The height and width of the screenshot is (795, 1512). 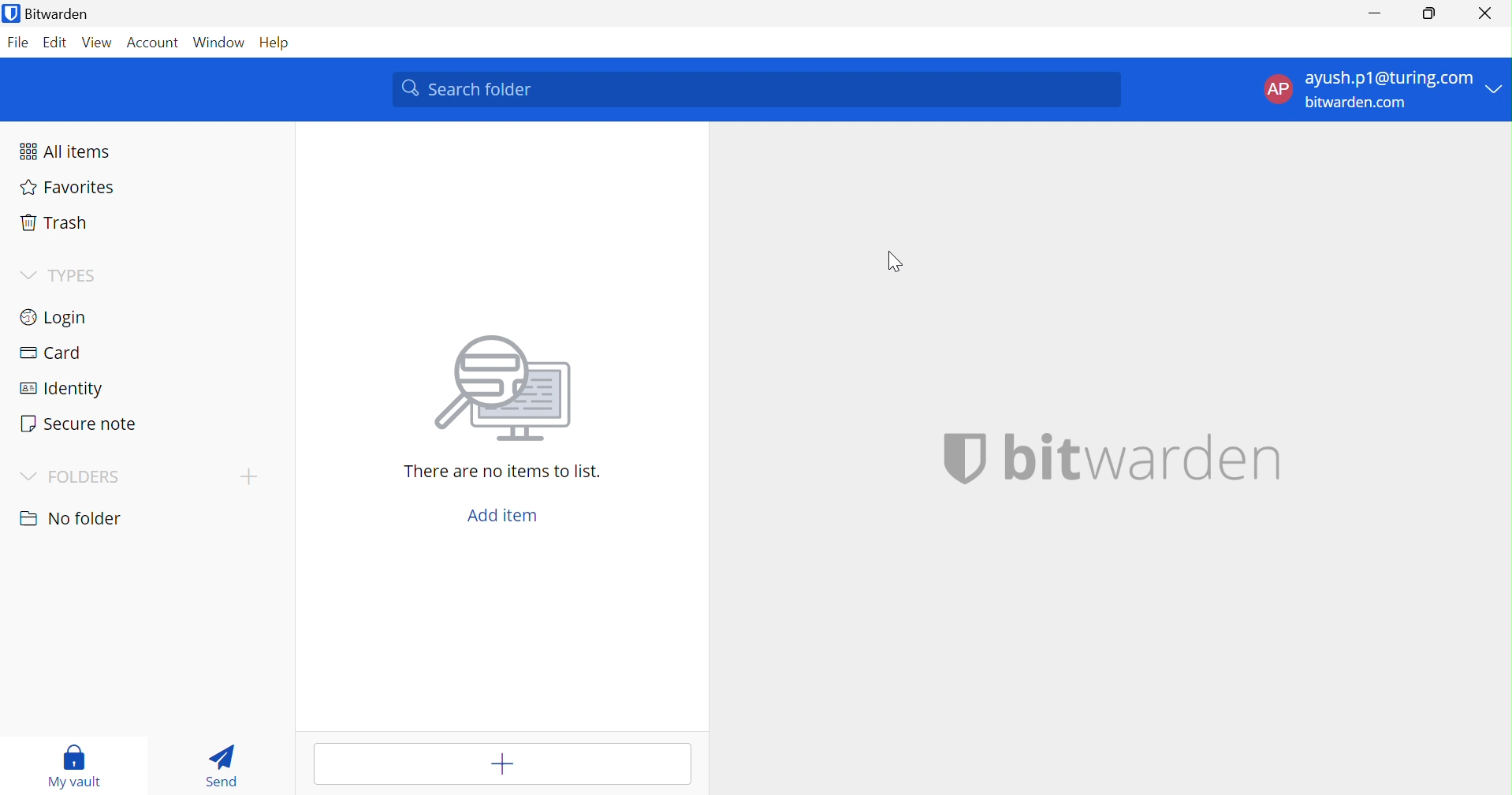 What do you see at coordinates (78, 424) in the screenshot?
I see `Secure note` at bounding box center [78, 424].